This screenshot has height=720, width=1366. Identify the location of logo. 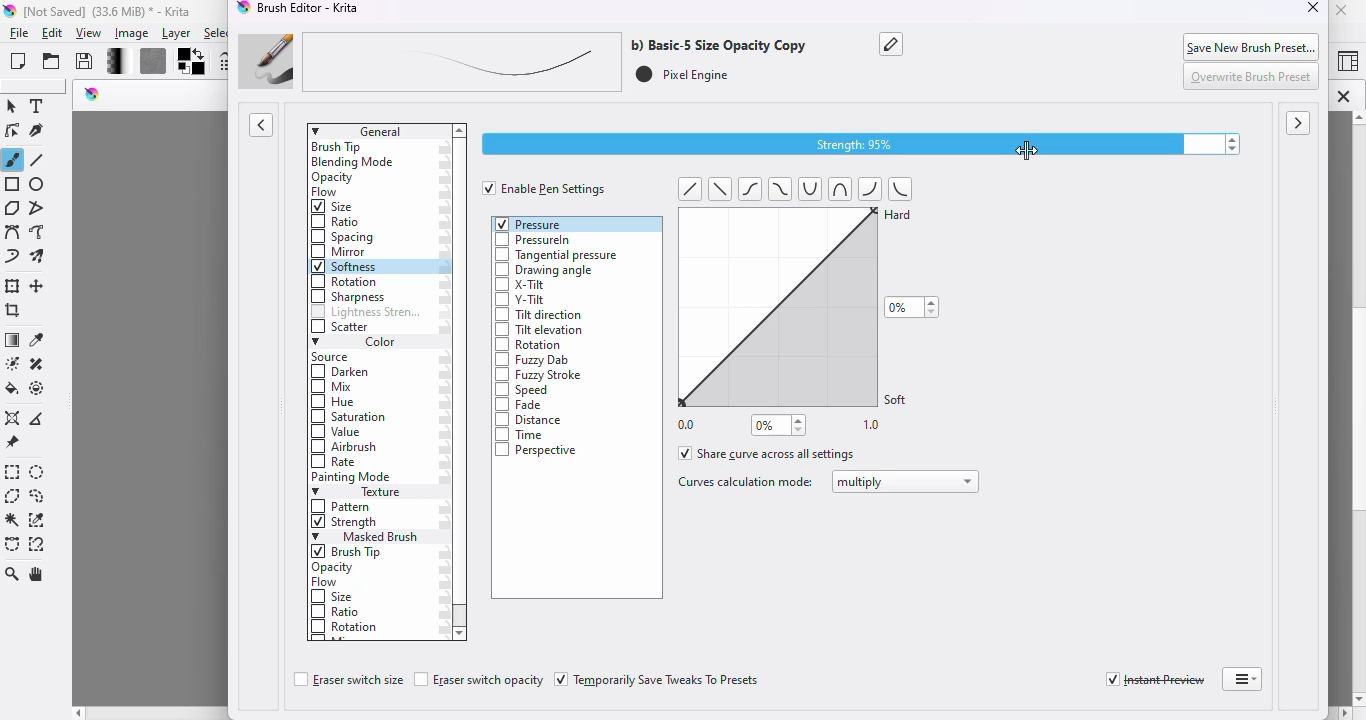
(244, 9).